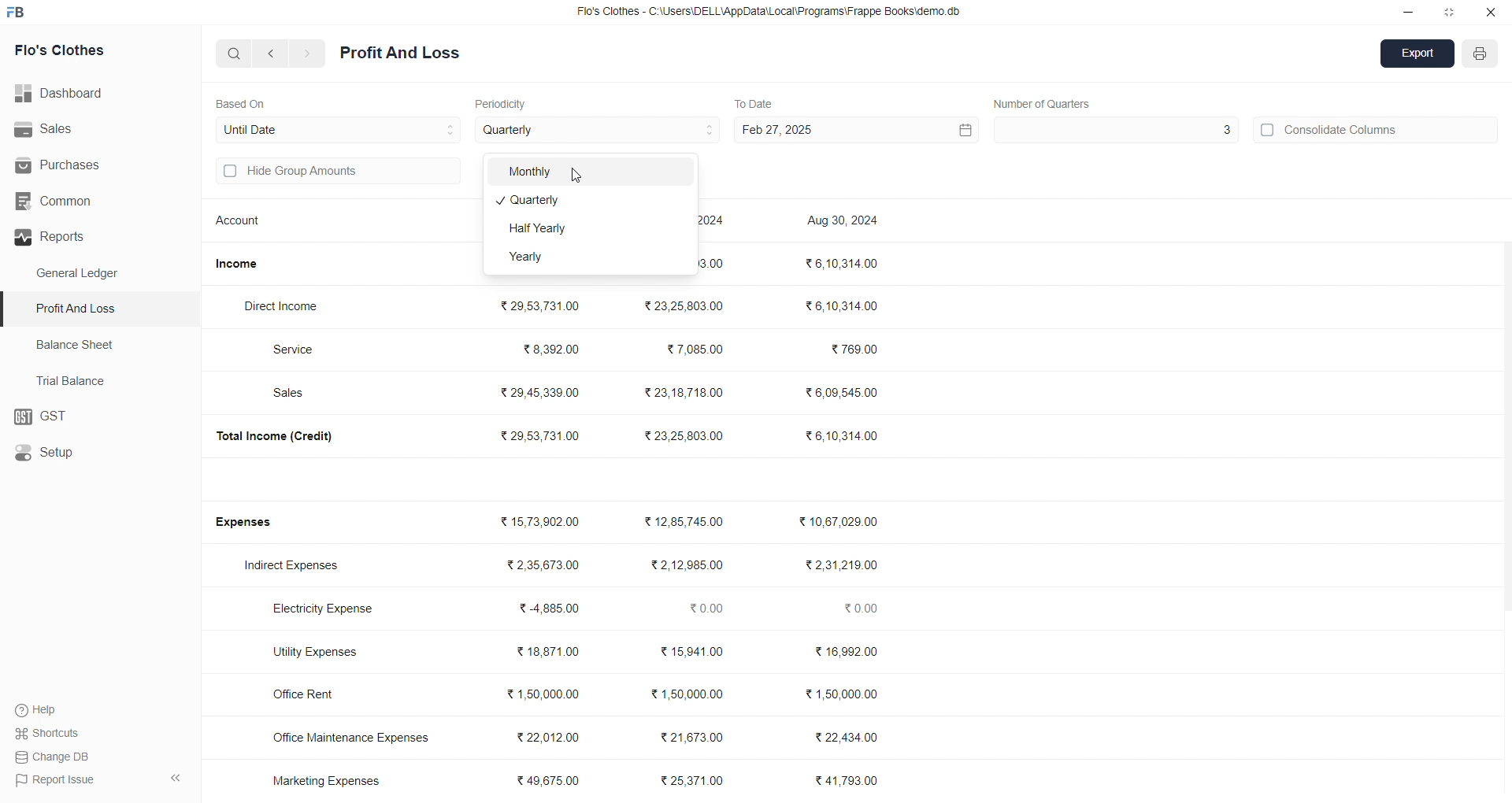 The width and height of the screenshot is (1512, 803). What do you see at coordinates (77, 343) in the screenshot?
I see `Balance Sheet` at bounding box center [77, 343].